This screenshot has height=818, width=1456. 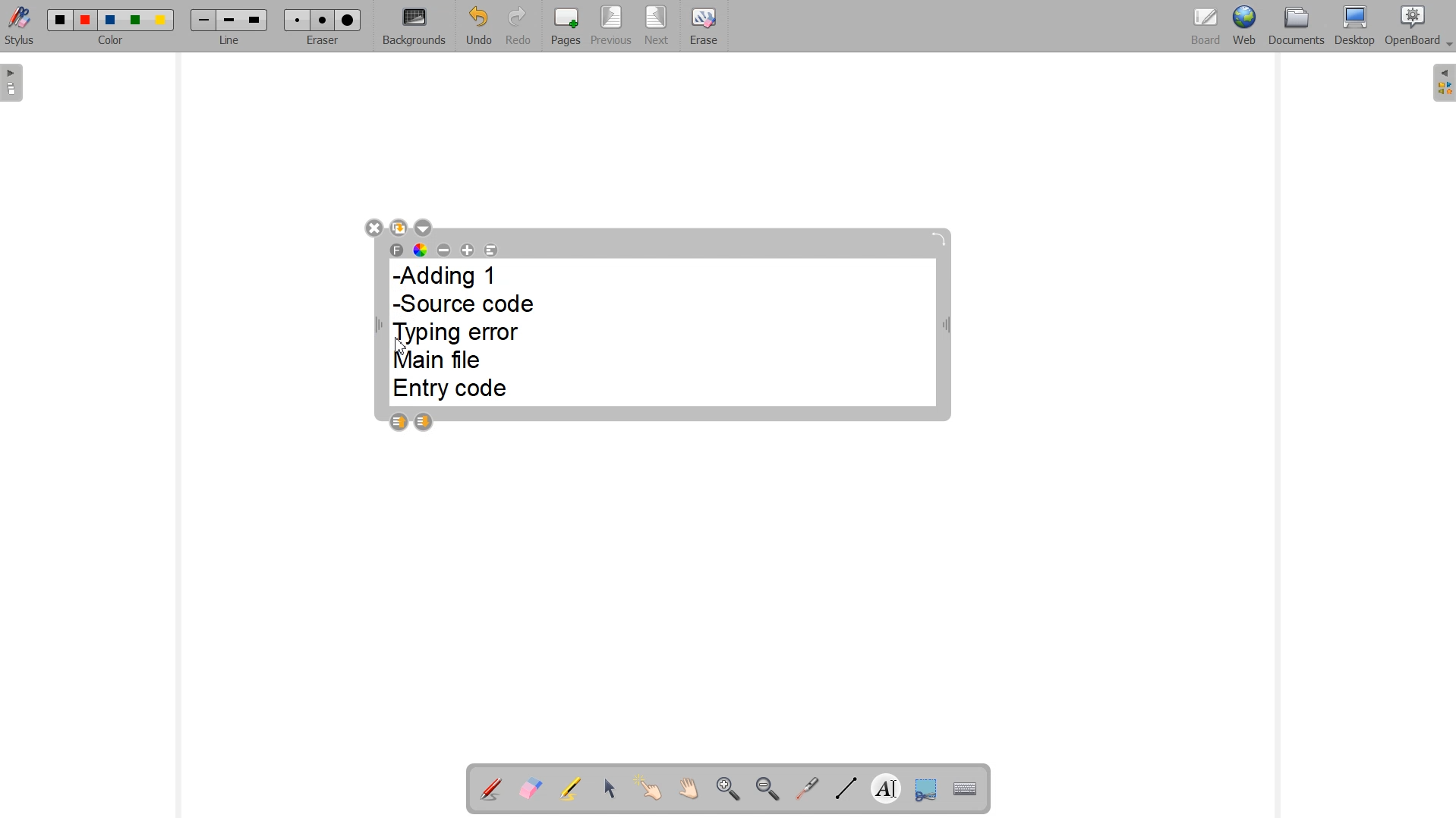 I want to click on Previous, so click(x=611, y=27).